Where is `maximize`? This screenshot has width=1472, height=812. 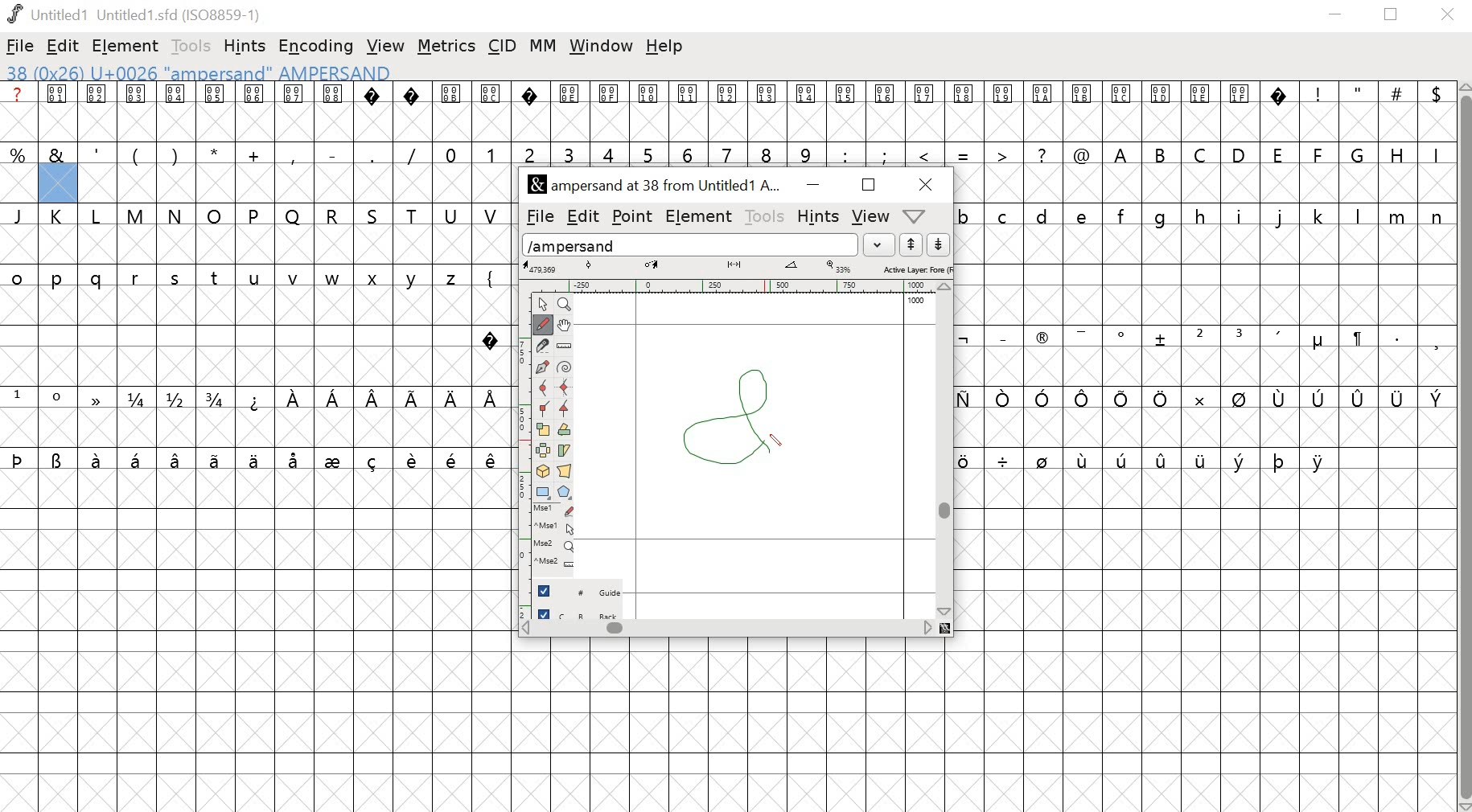 maximize is located at coordinates (1394, 15).